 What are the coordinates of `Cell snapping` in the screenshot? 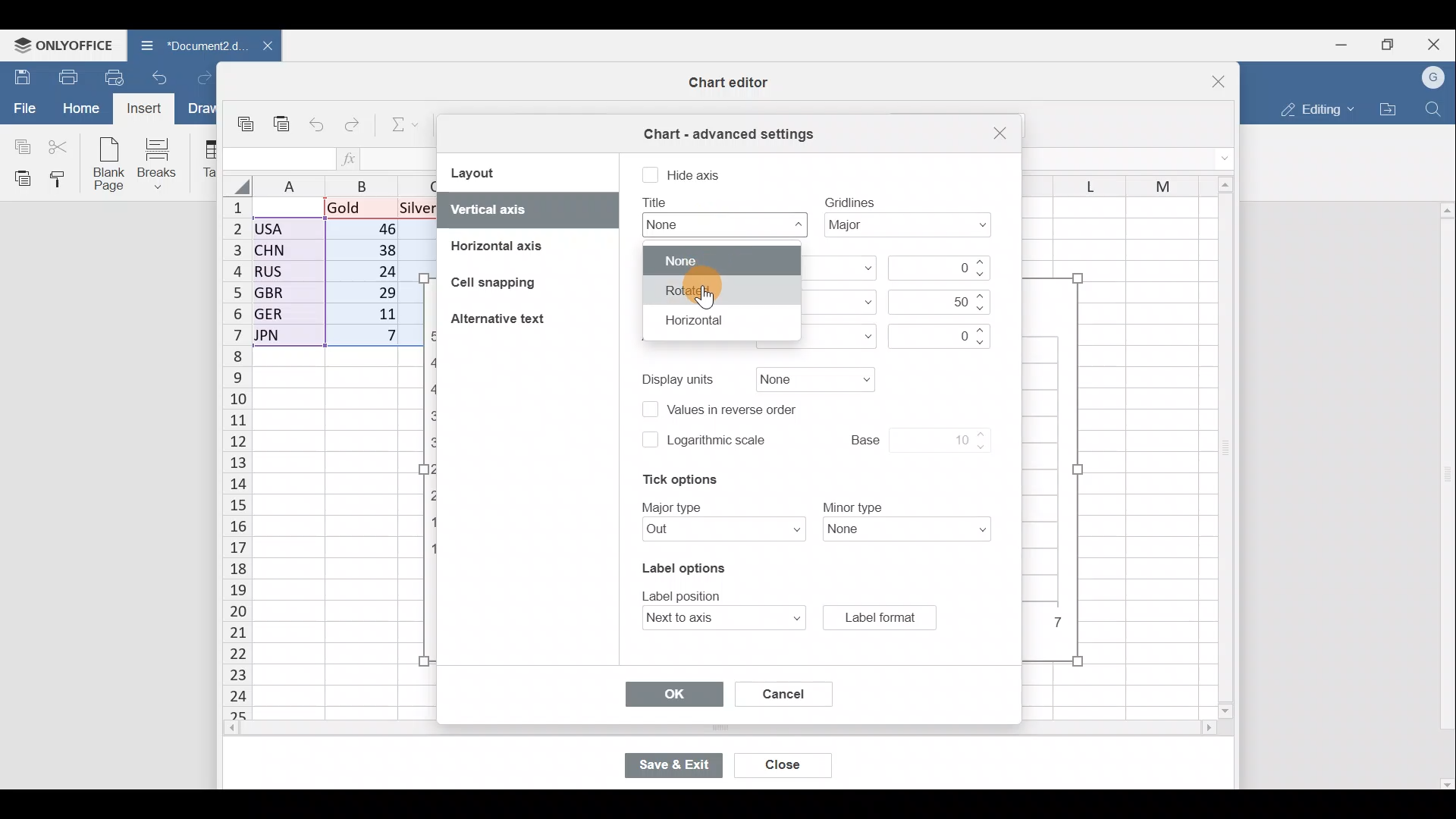 It's located at (490, 283).